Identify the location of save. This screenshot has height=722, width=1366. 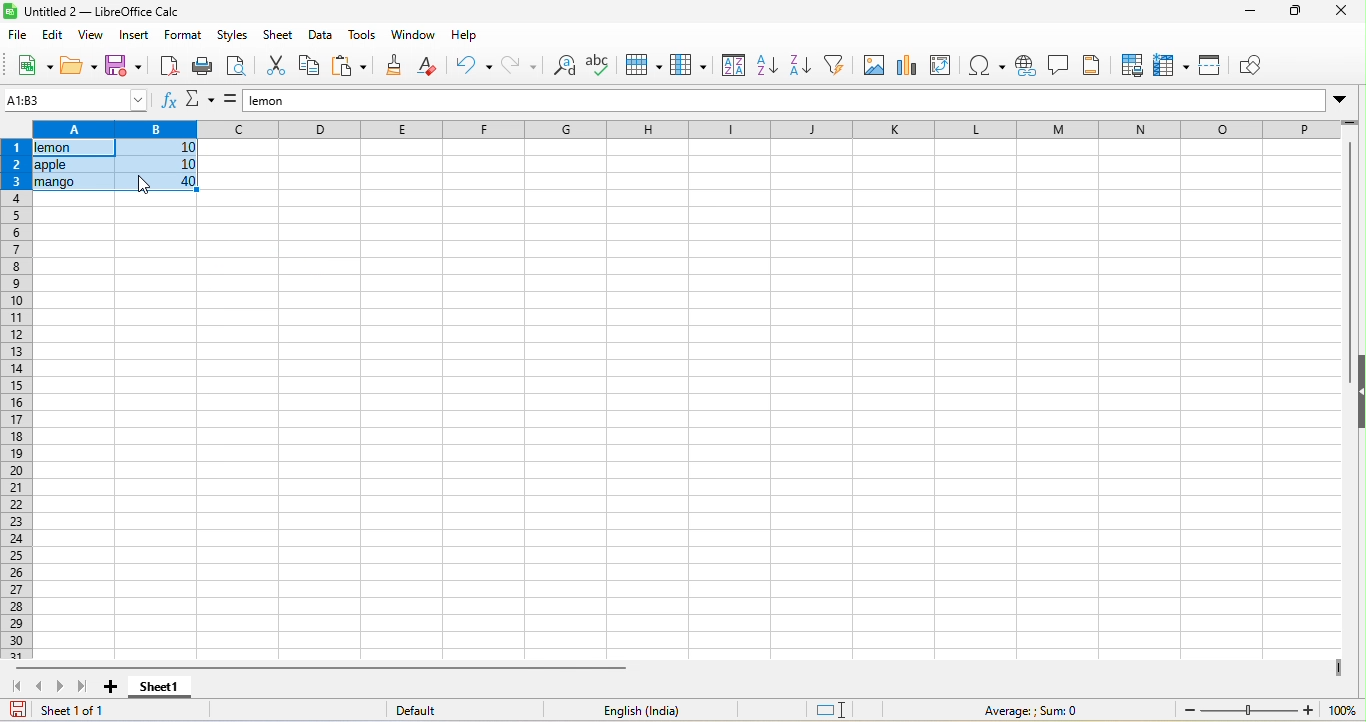
(121, 65).